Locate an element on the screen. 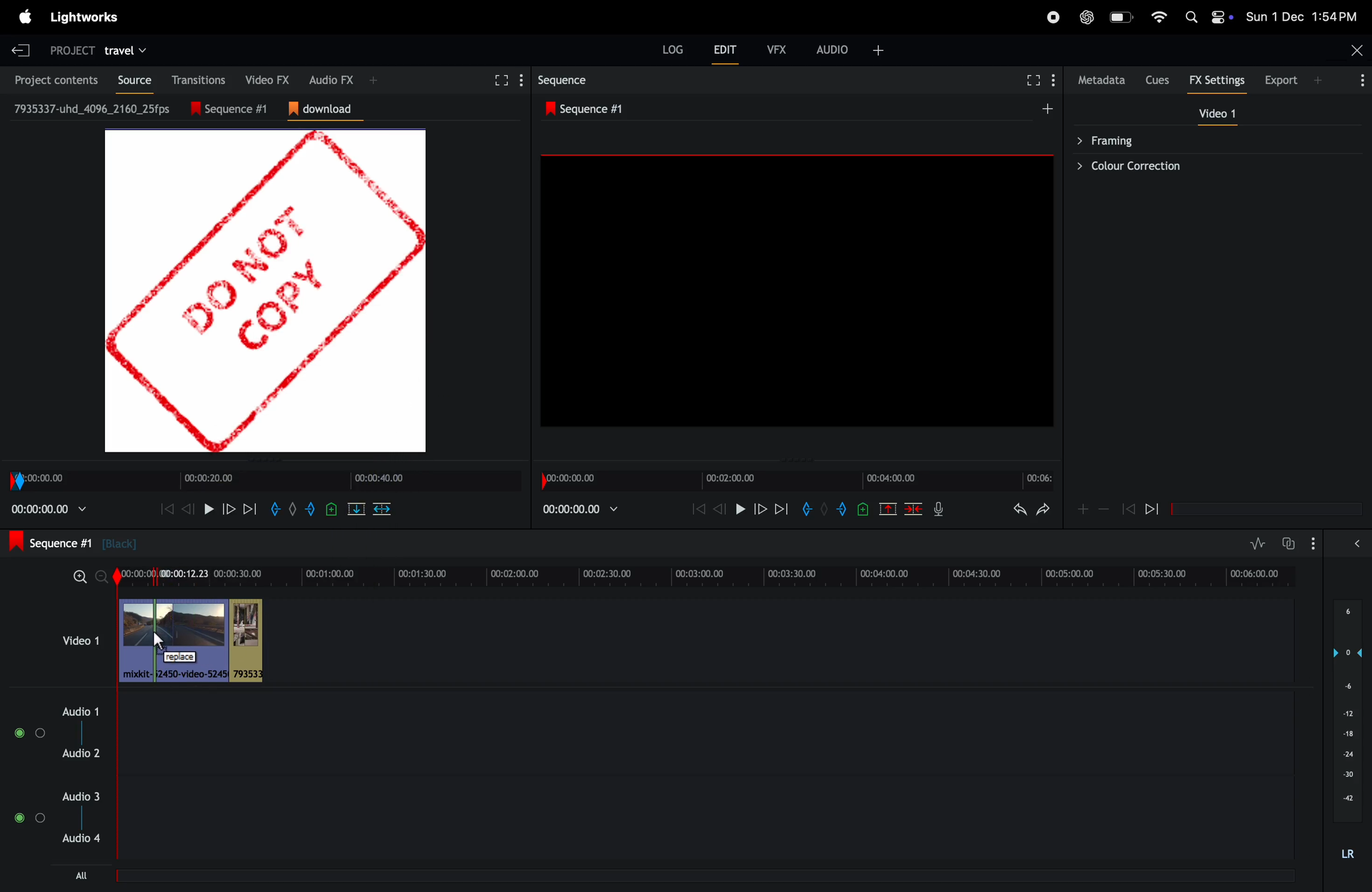 This screenshot has height=892, width=1372. colour correction is located at coordinates (1209, 166).